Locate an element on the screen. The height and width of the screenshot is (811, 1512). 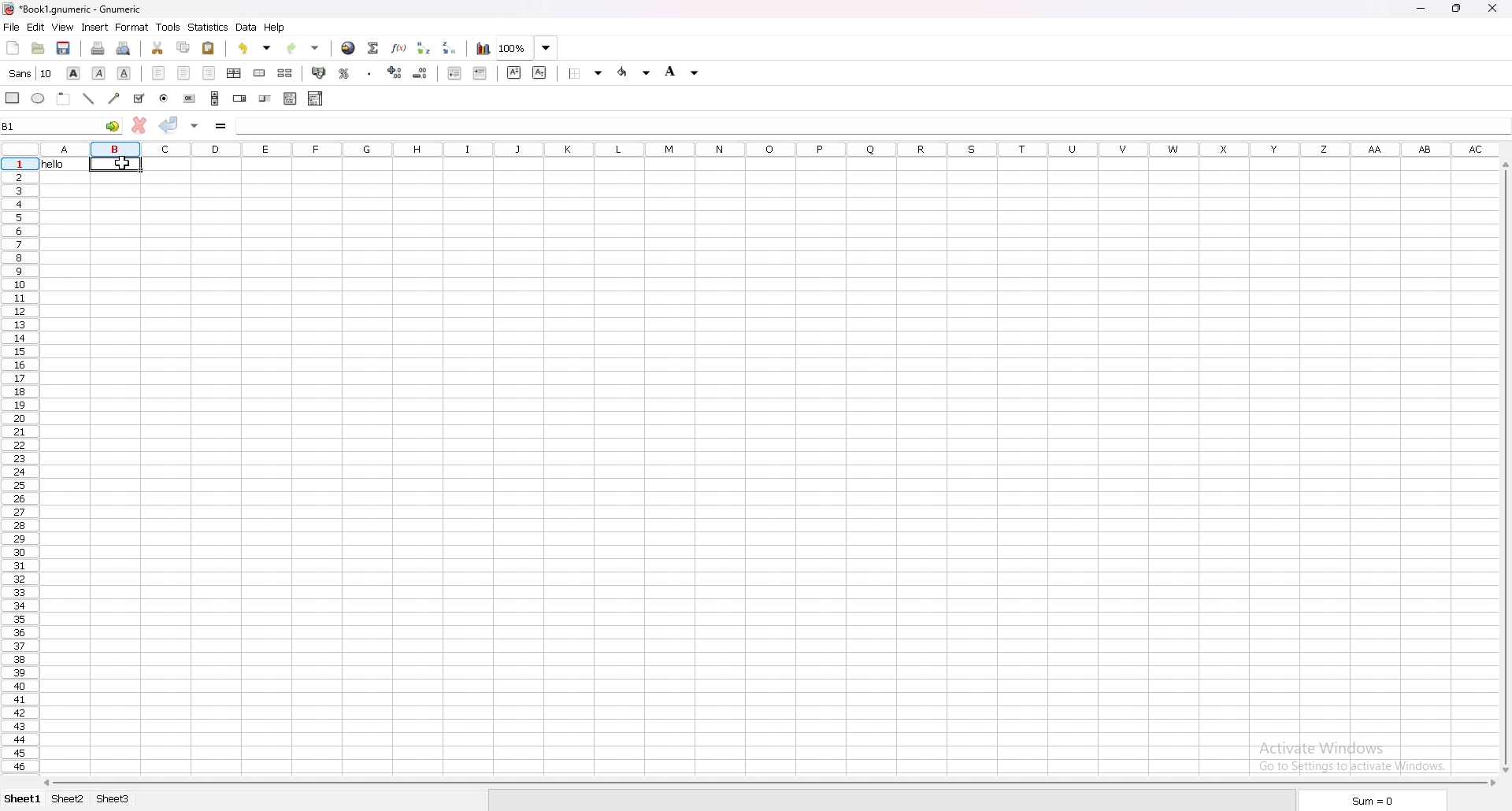
arrow object is located at coordinates (114, 98).